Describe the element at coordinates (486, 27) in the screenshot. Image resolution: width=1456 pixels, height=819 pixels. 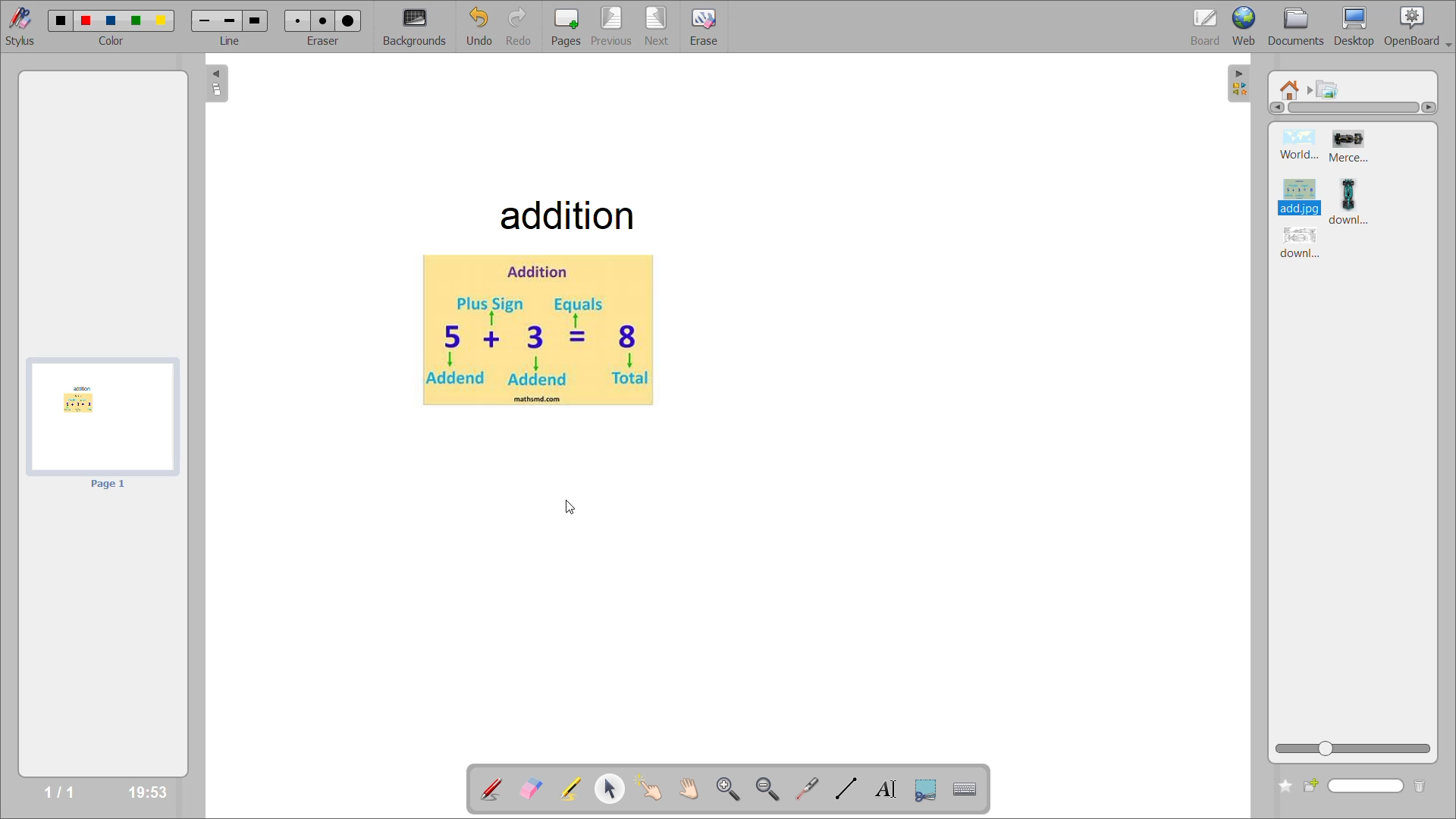
I see `undo` at that location.